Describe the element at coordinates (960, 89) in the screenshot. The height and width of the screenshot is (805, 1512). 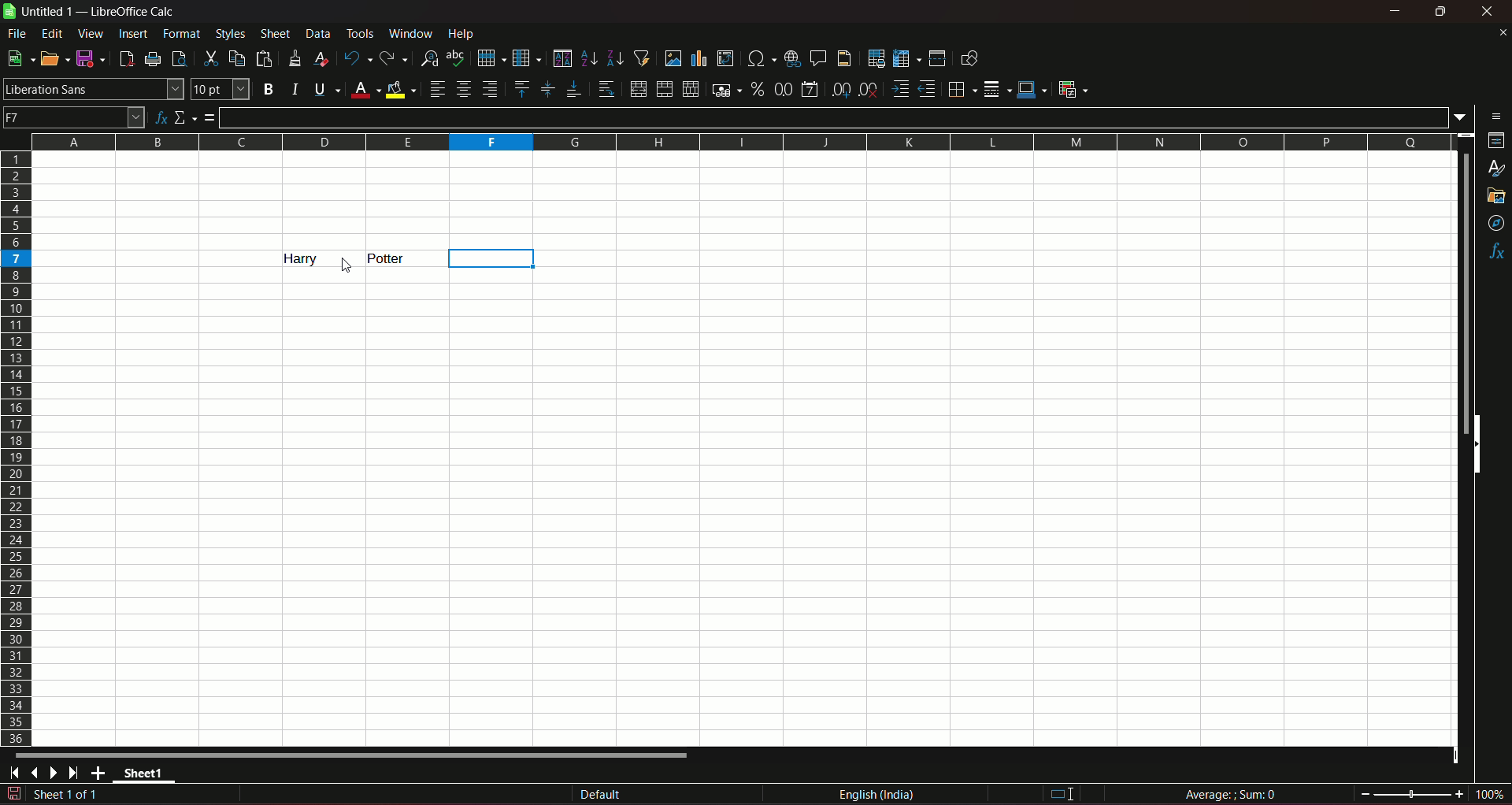
I see `borders` at that location.